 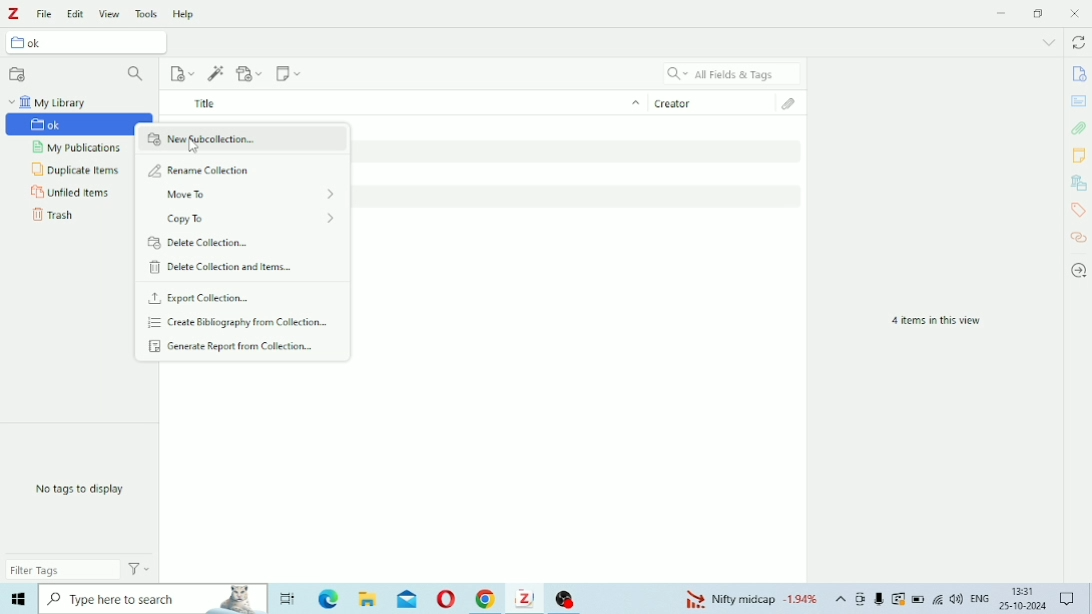 What do you see at coordinates (1049, 42) in the screenshot?
I see `List all tabs` at bounding box center [1049, 42].